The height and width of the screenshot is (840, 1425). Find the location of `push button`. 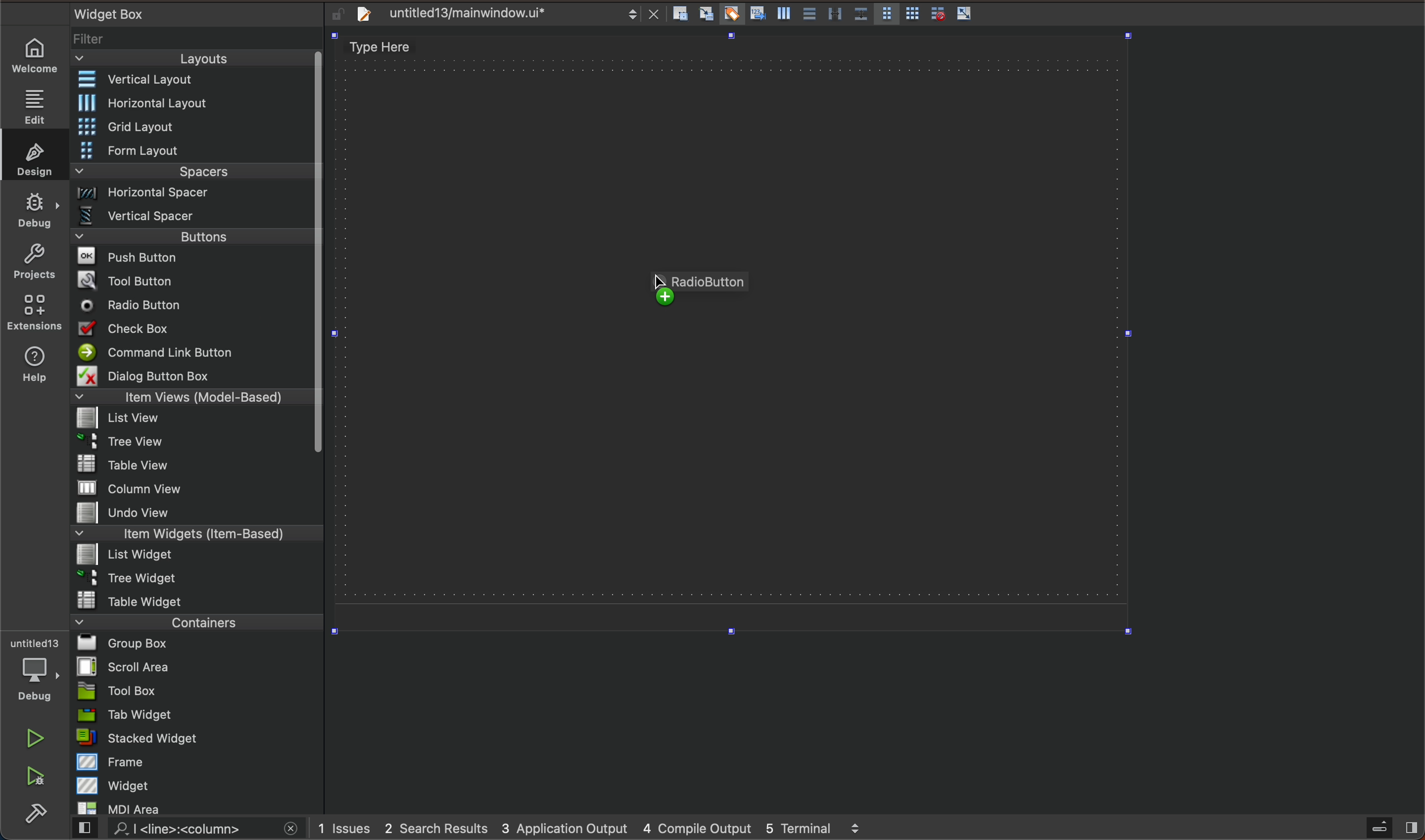

push button is located at coordinates (192, 259).